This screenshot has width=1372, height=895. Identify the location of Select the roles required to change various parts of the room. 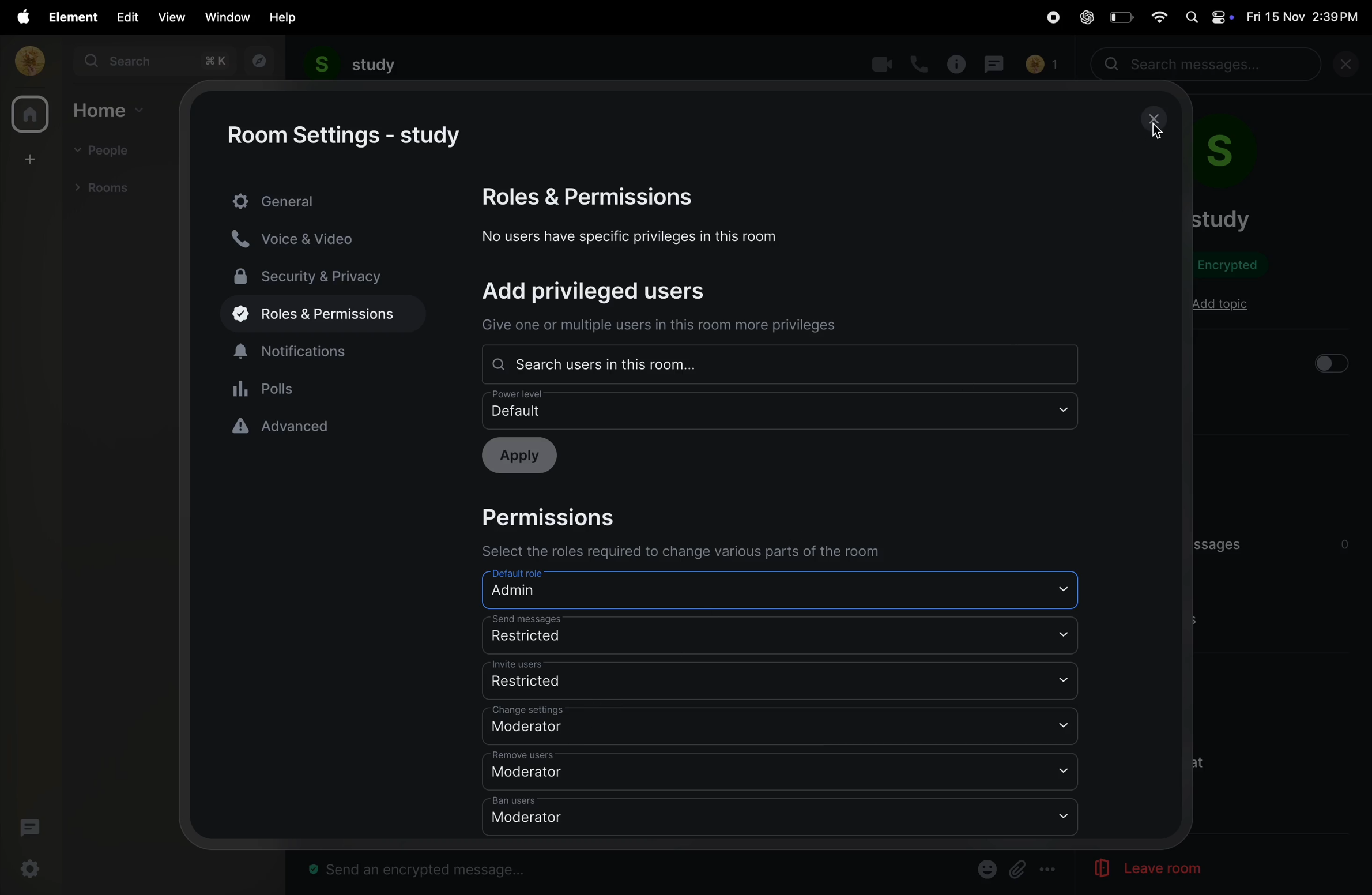
(683, 552).